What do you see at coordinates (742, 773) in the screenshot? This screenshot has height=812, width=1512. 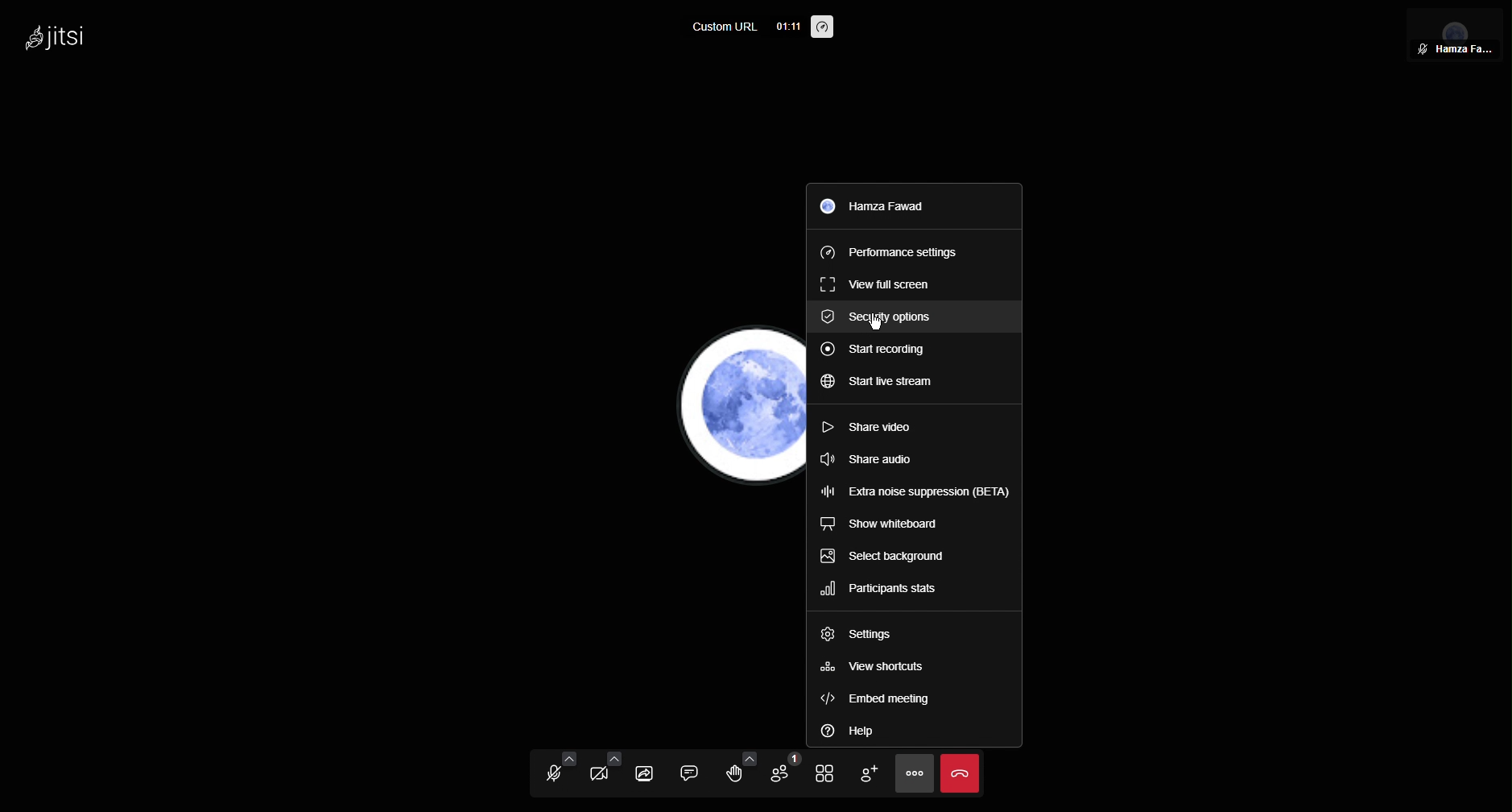 I see `Raise Hand` at bounding box center [742, 773].